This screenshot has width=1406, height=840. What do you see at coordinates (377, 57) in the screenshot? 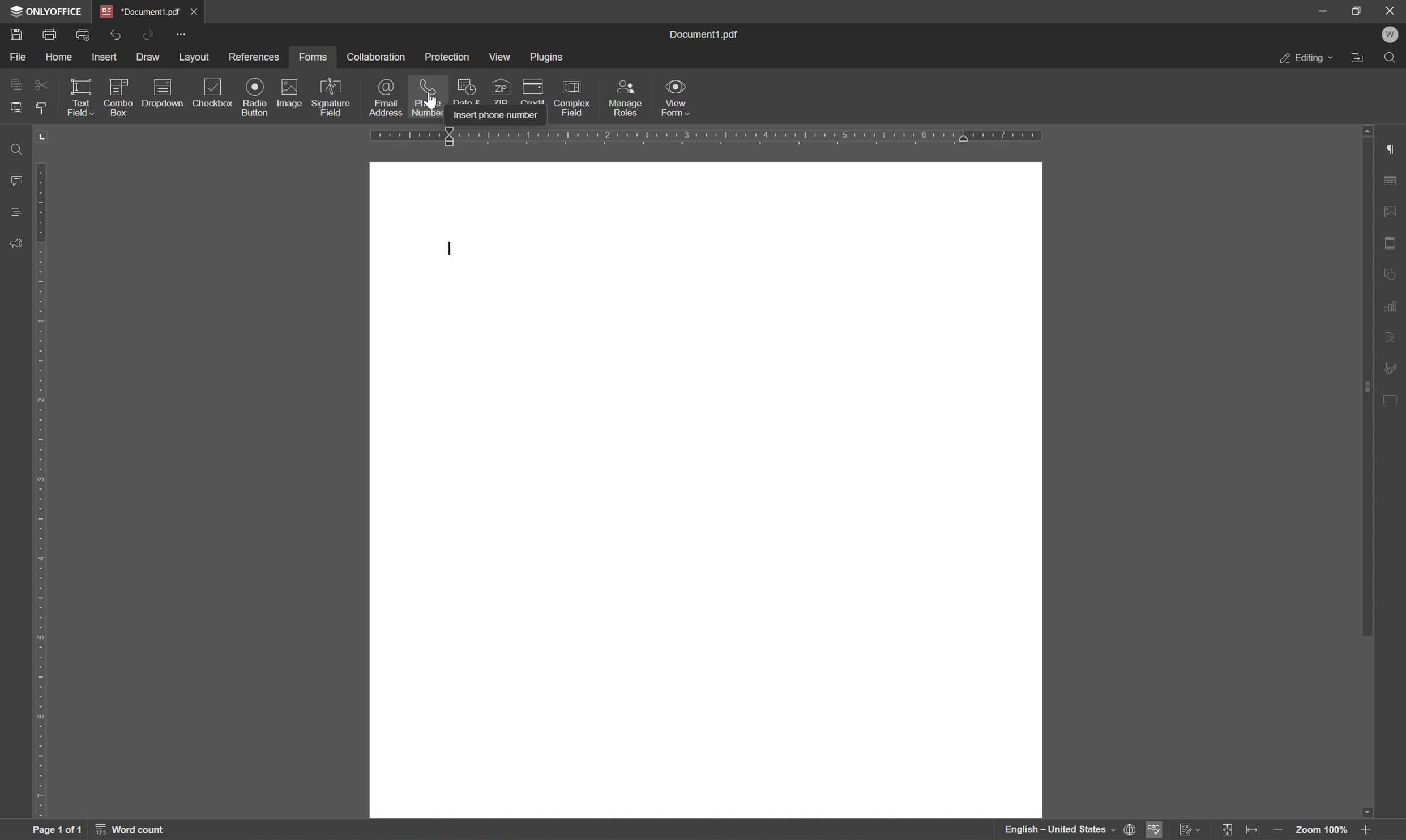
I see `collaboration` at bounding box center [377, 57].